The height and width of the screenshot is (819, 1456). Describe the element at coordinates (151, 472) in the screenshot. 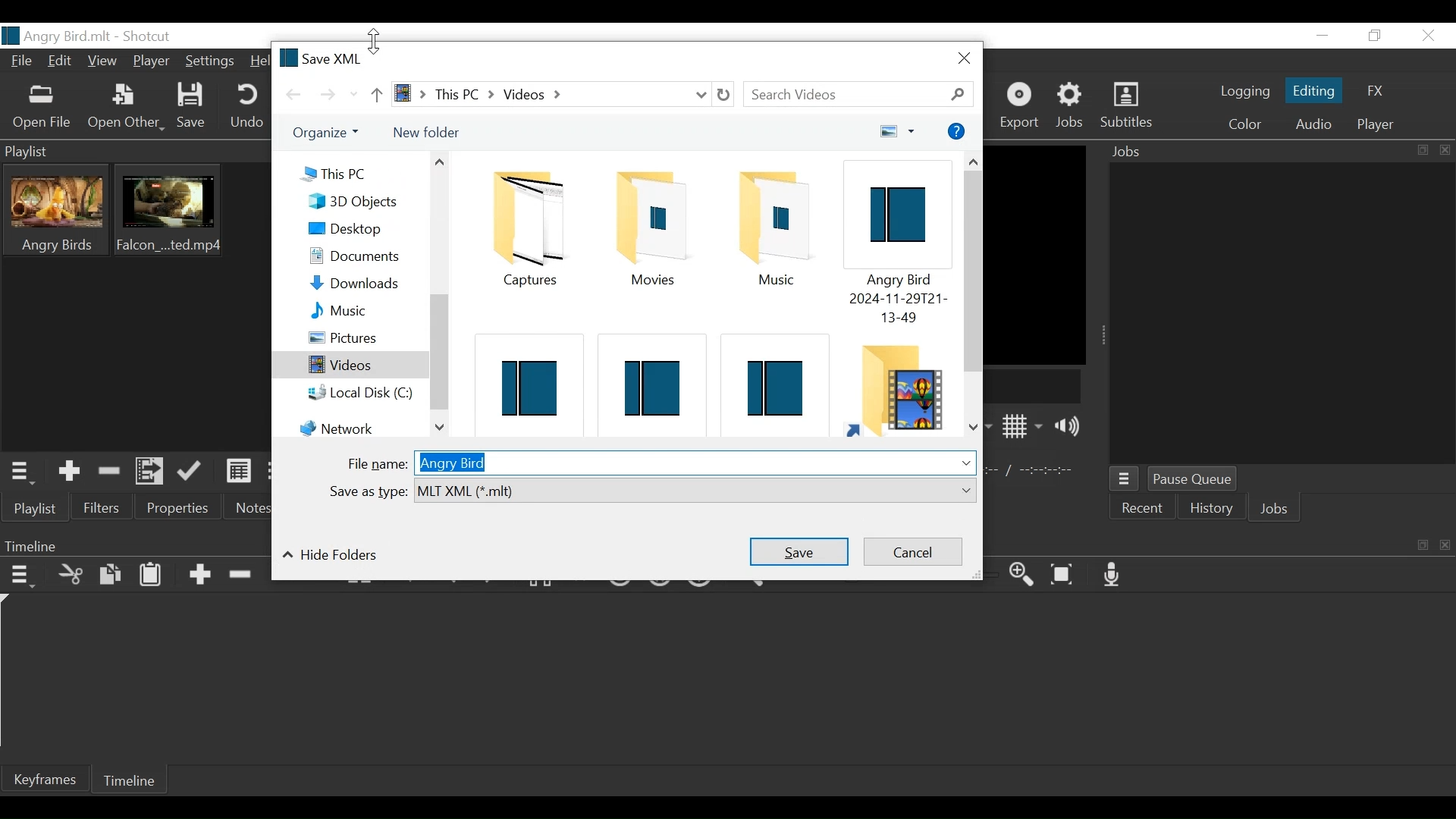

I see `Add files to the playlist` at that location.